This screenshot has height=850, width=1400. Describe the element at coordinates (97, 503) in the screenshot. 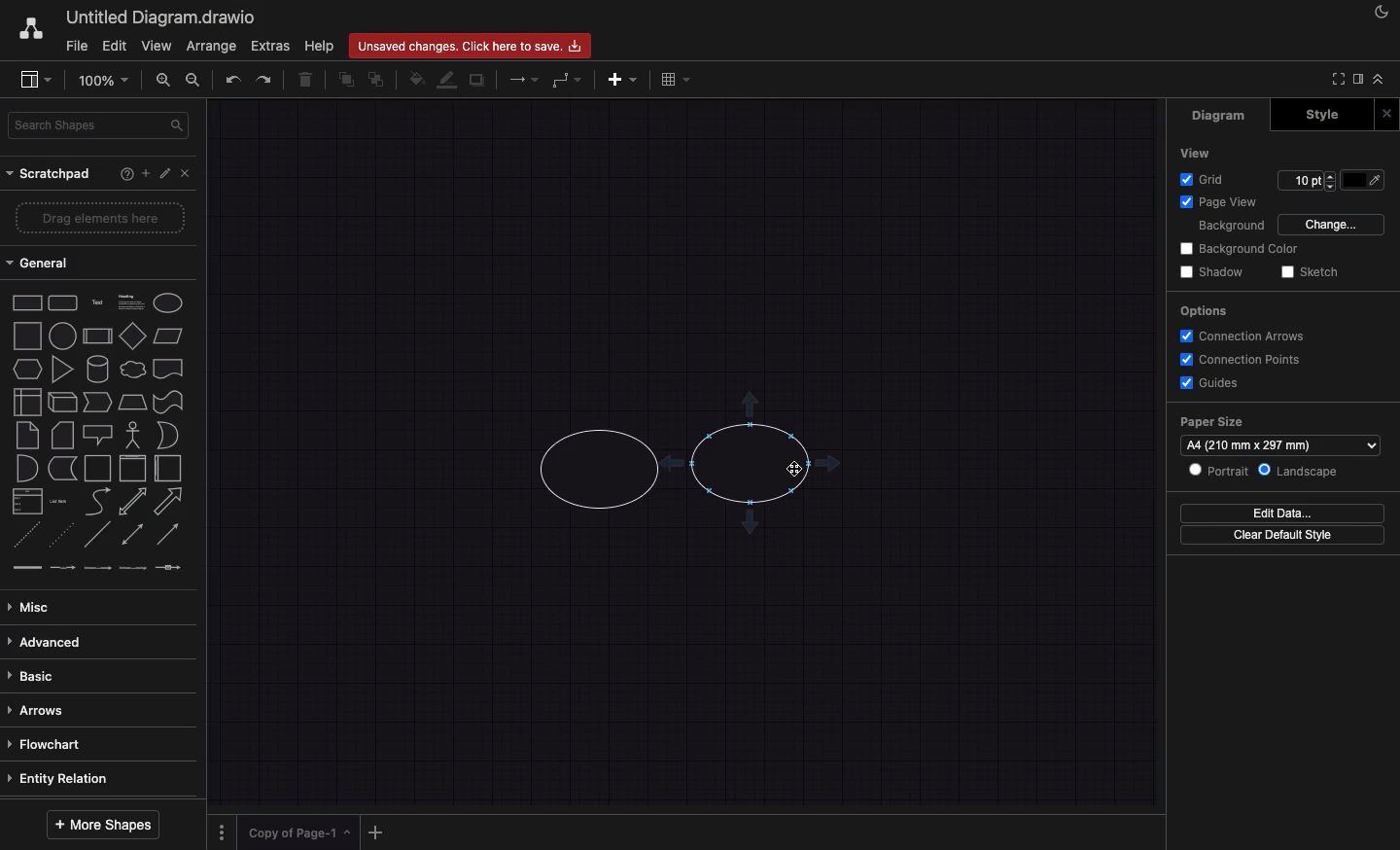

I see `curve` at that location.